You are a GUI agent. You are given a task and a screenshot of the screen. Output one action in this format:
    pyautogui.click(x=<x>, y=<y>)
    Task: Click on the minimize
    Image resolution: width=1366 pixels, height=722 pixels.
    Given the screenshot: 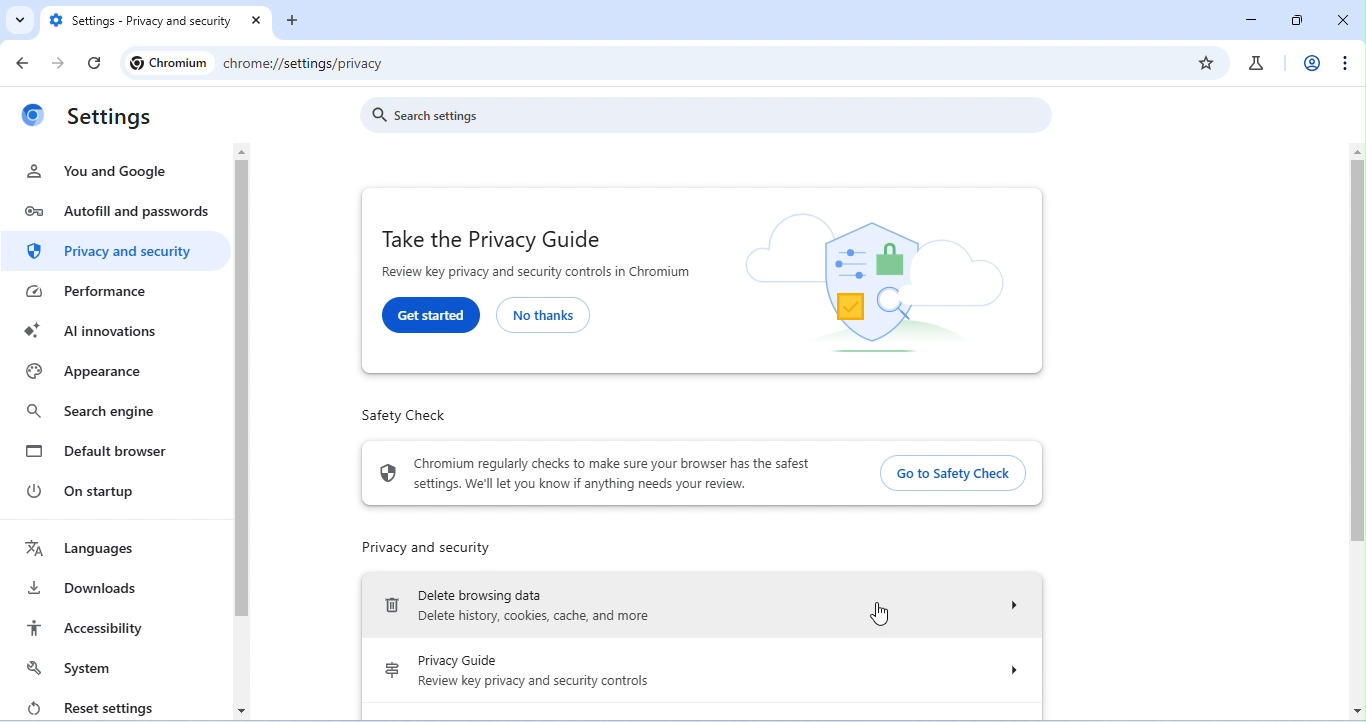 What is the action you would take?
    pyautogui.click(x=1255, y=19)
    